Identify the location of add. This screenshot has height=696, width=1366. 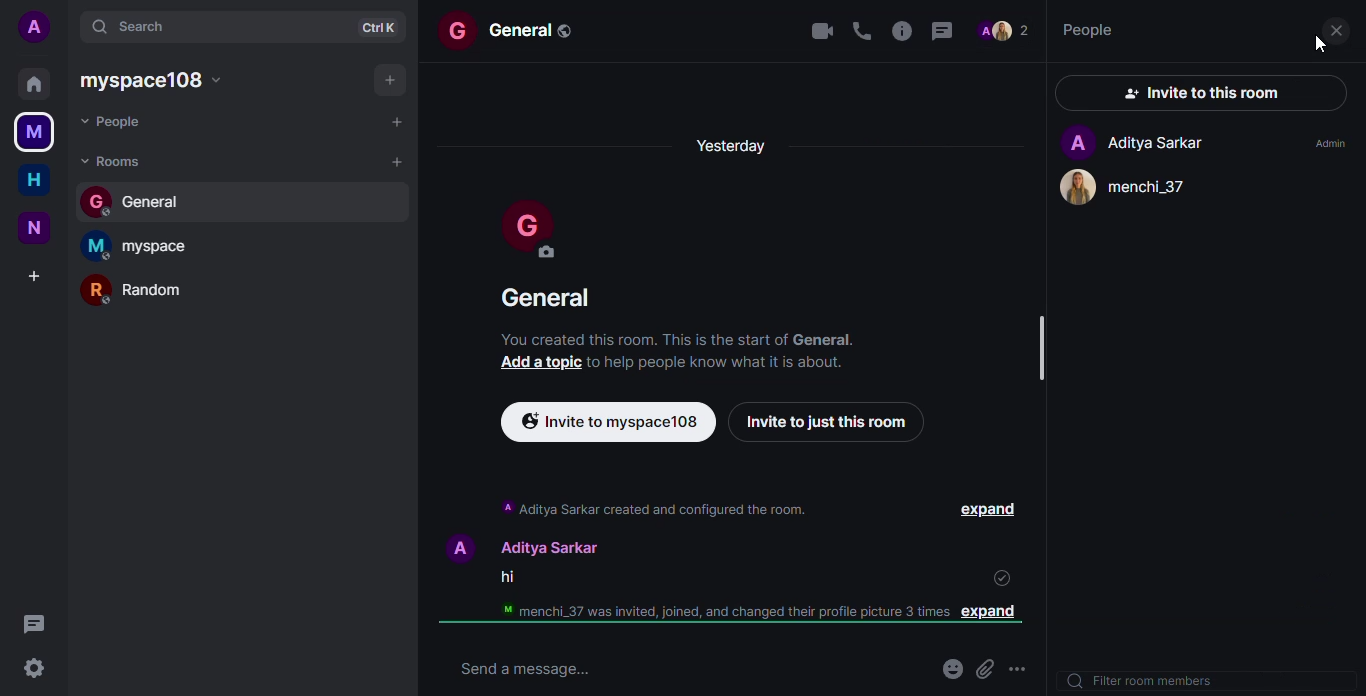
(404, 165).